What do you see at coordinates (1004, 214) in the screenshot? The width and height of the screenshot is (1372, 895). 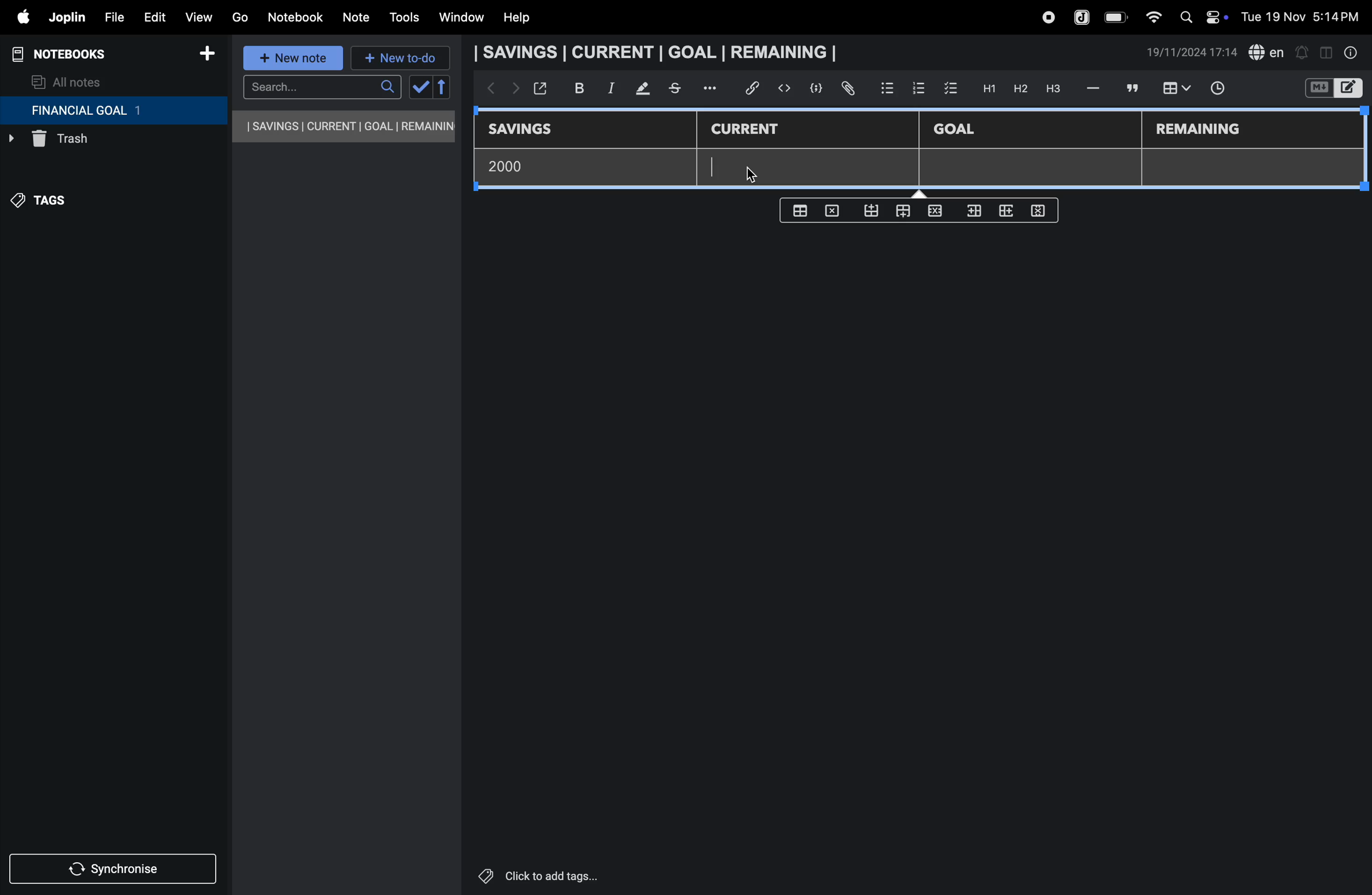 I see `add rows` at bounding box center [1004, 214].